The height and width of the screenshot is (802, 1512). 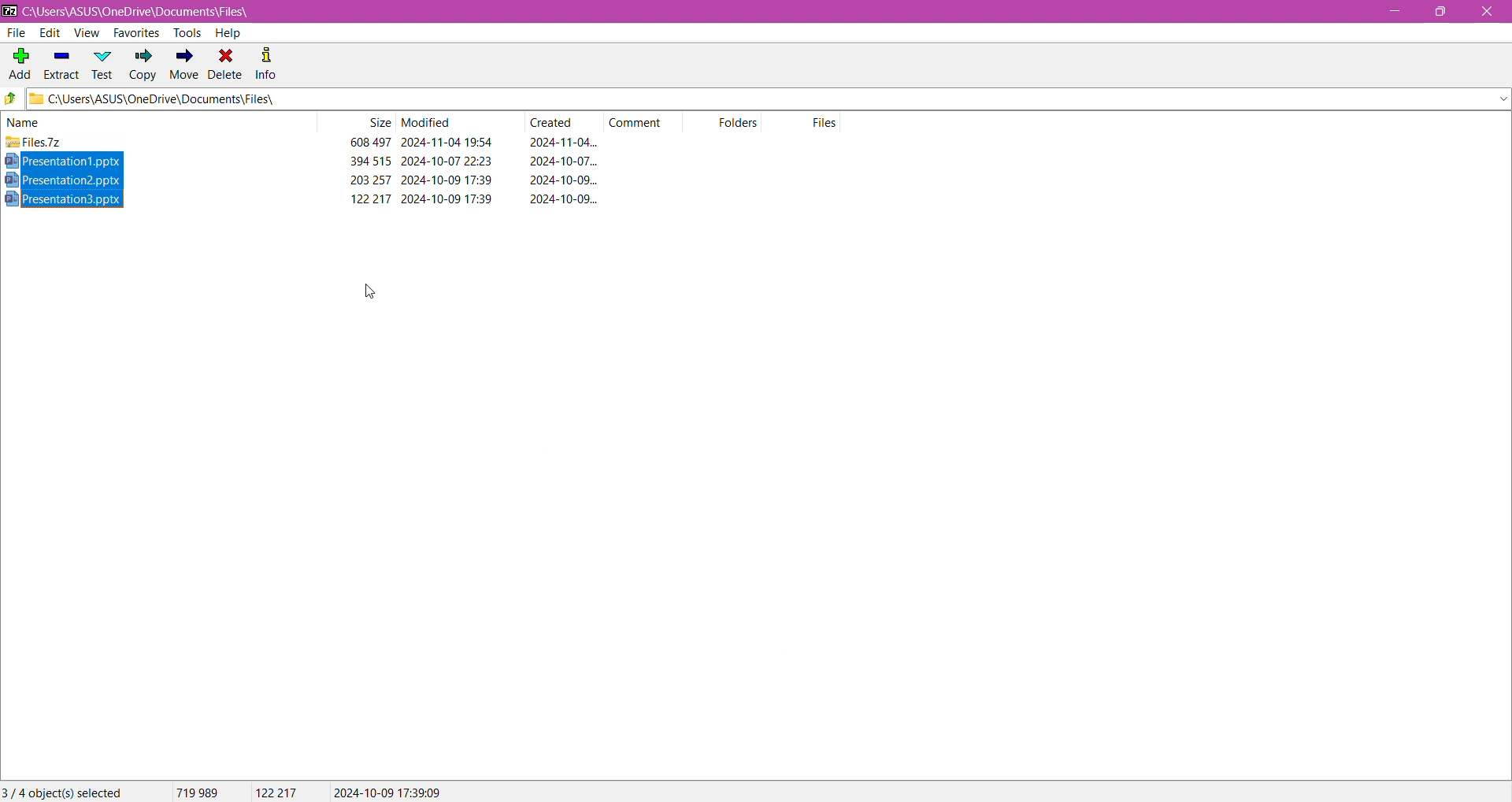 What do you see at coordinates (180, 100) in the screenshot?
I see `C\Users\ASUS\OneDrive\Documents\Files\` at bounding box center [180, 100].